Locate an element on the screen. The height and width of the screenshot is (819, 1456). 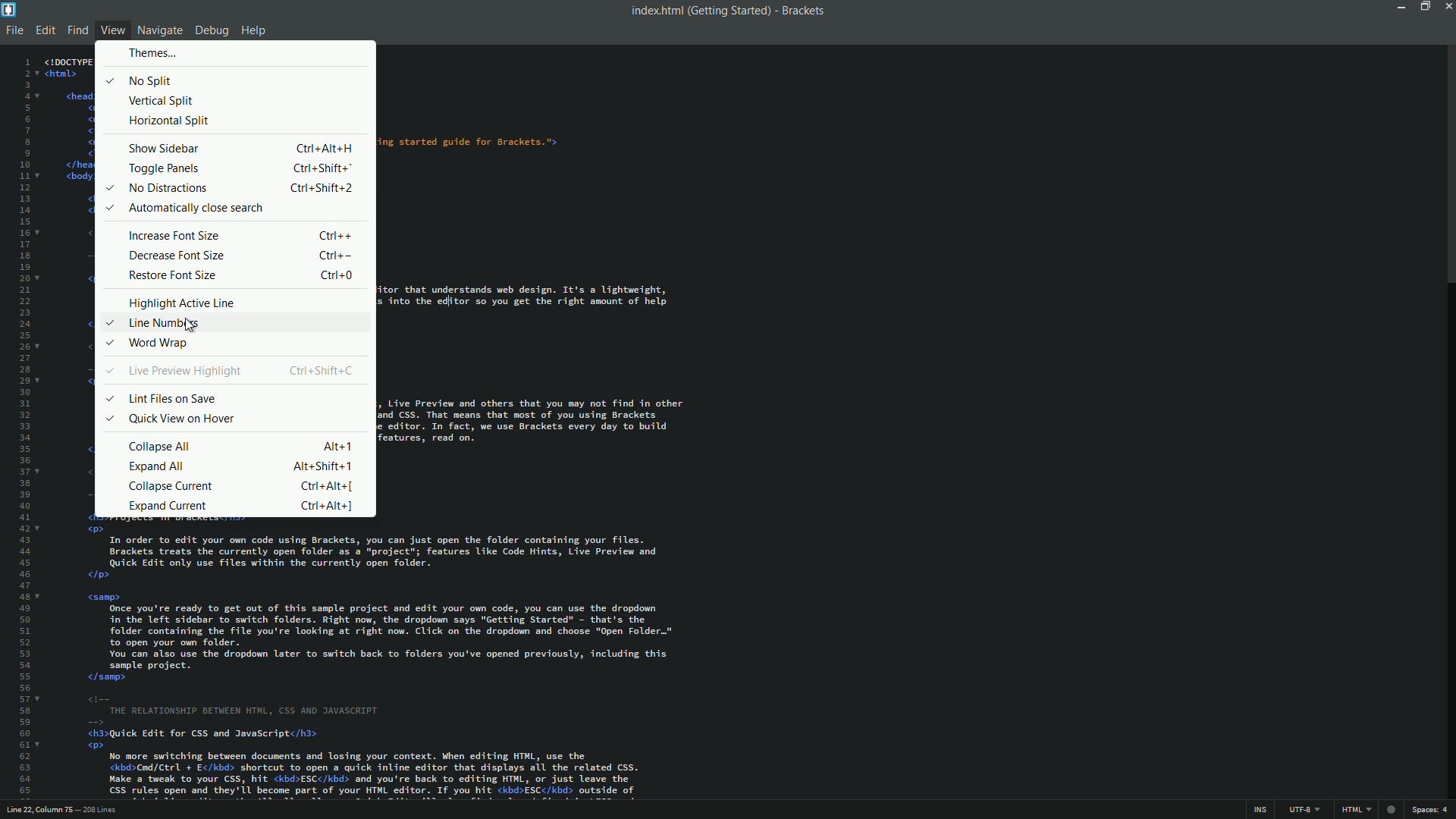
Horizontal Split is located at coordinates (168, 121).